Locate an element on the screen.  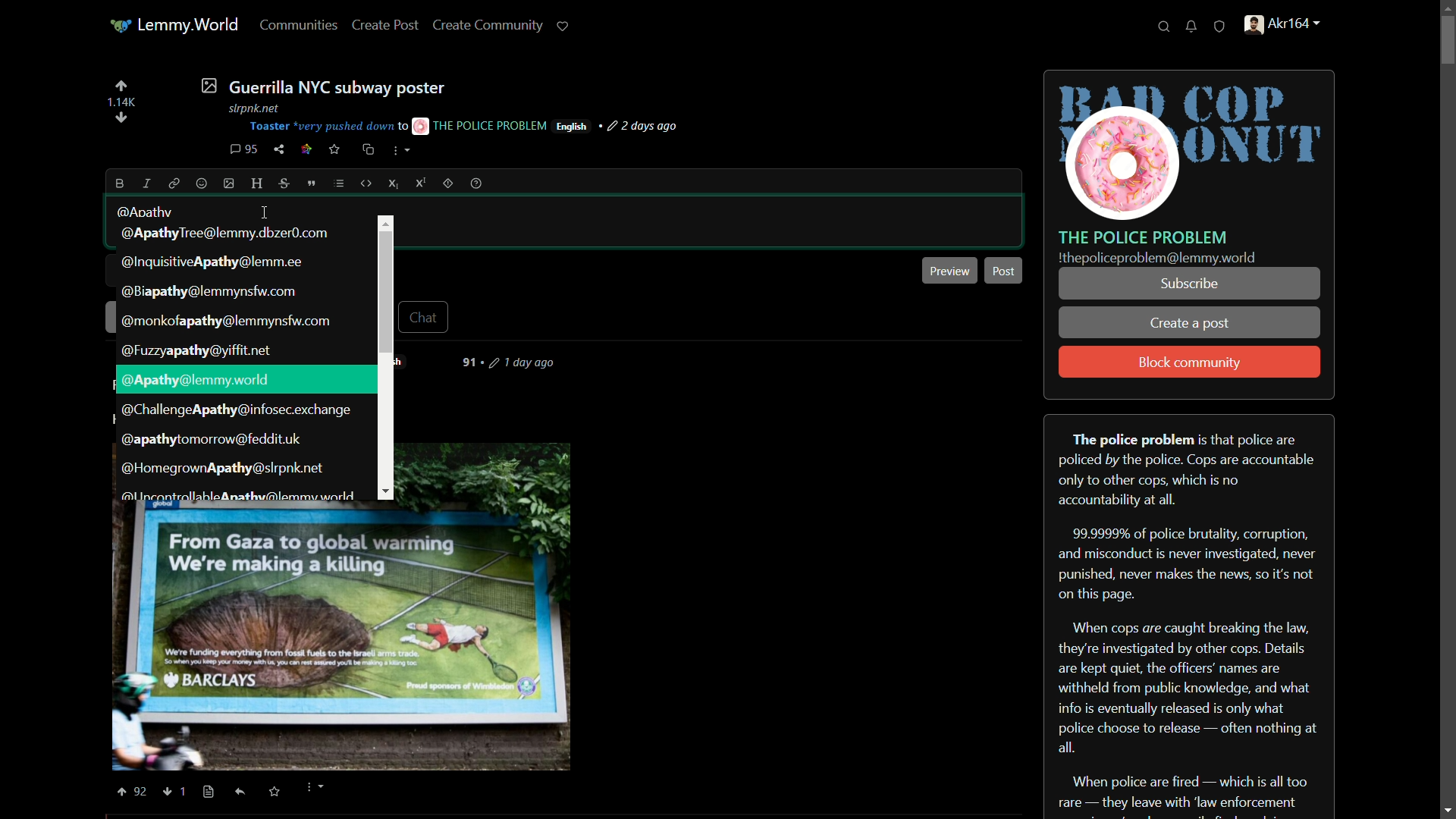
post-title is located at coordinates (322, 86).